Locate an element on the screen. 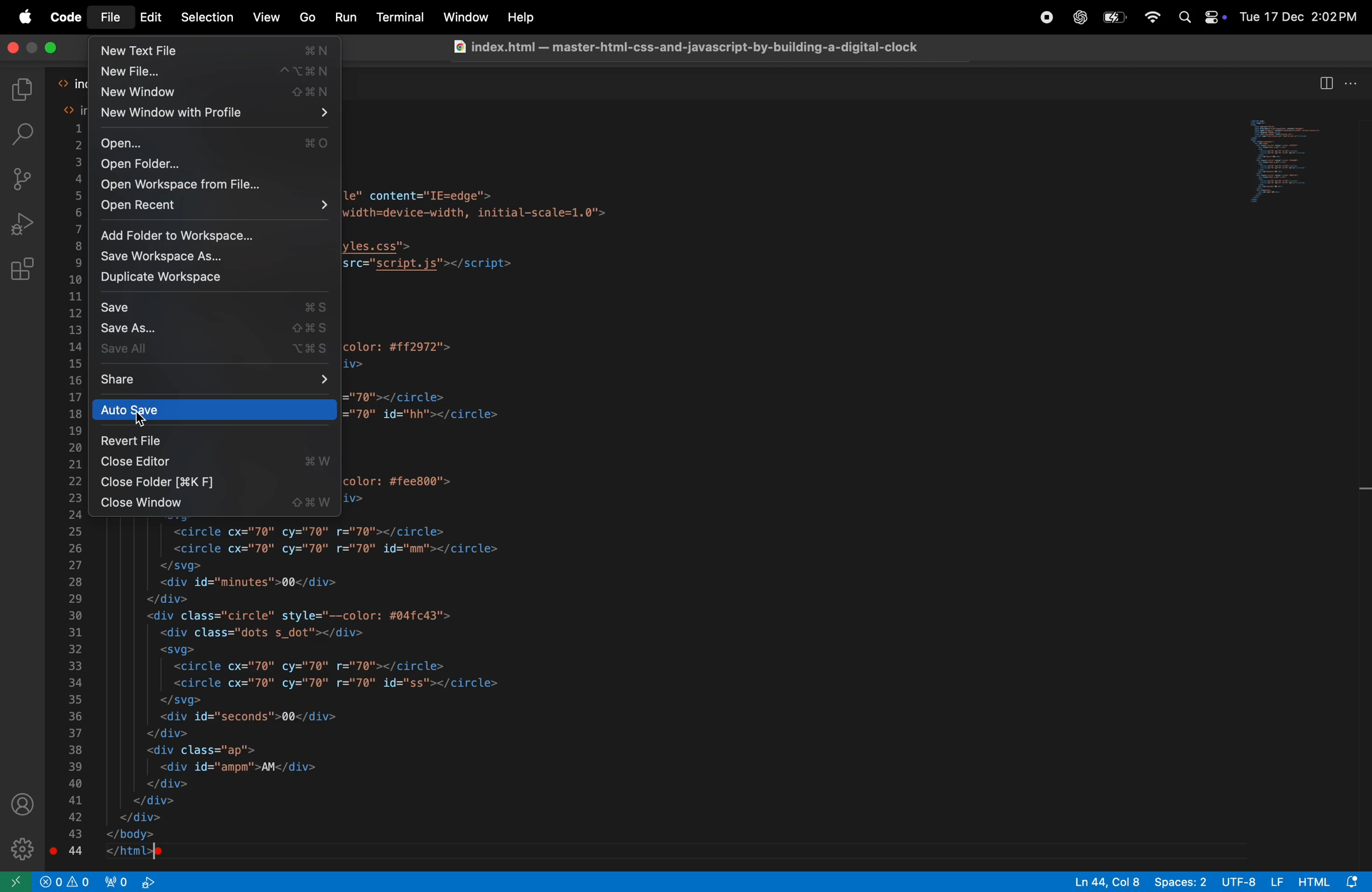   is located at coordinates (523, 16).